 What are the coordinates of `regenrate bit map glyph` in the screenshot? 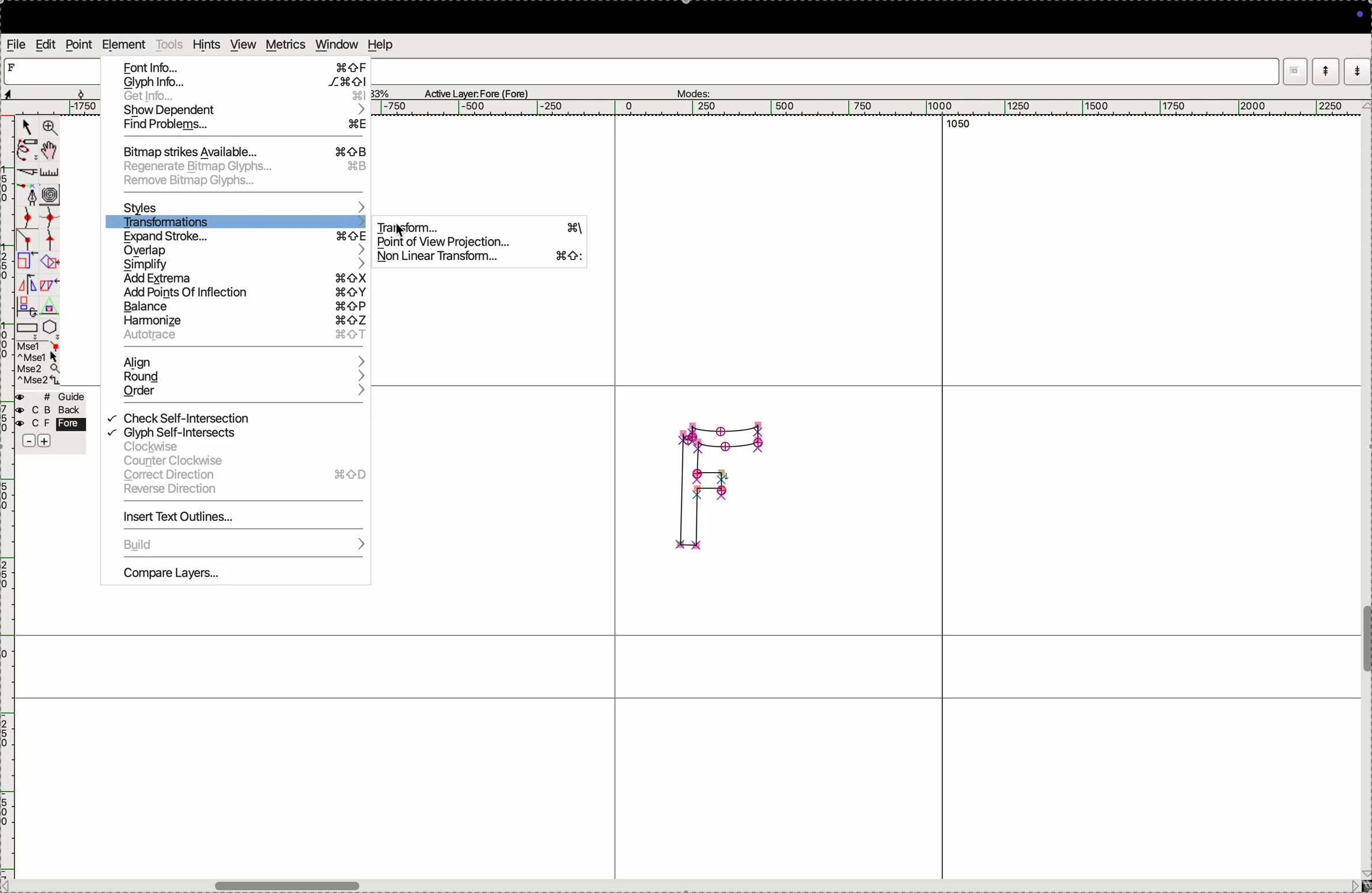 It's located at (239, 166).